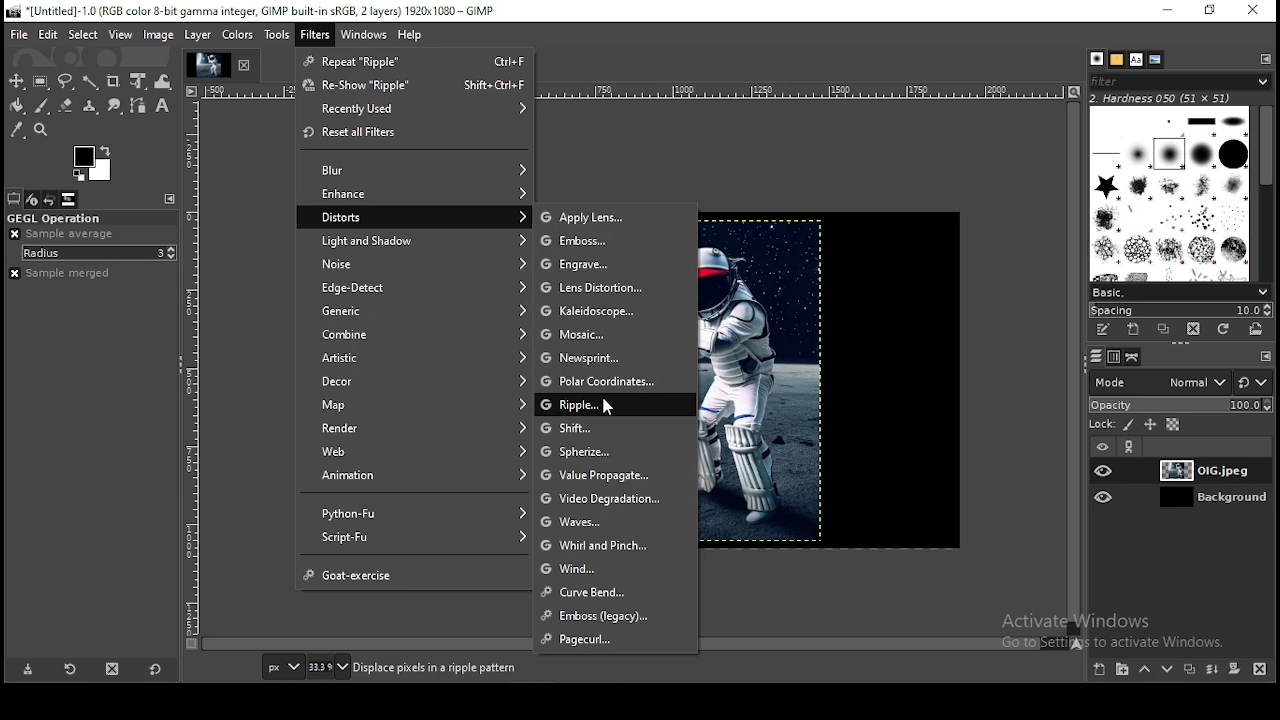  Describe the element at coordinates (420, 451) in the screenshot. I see `web` at that location.